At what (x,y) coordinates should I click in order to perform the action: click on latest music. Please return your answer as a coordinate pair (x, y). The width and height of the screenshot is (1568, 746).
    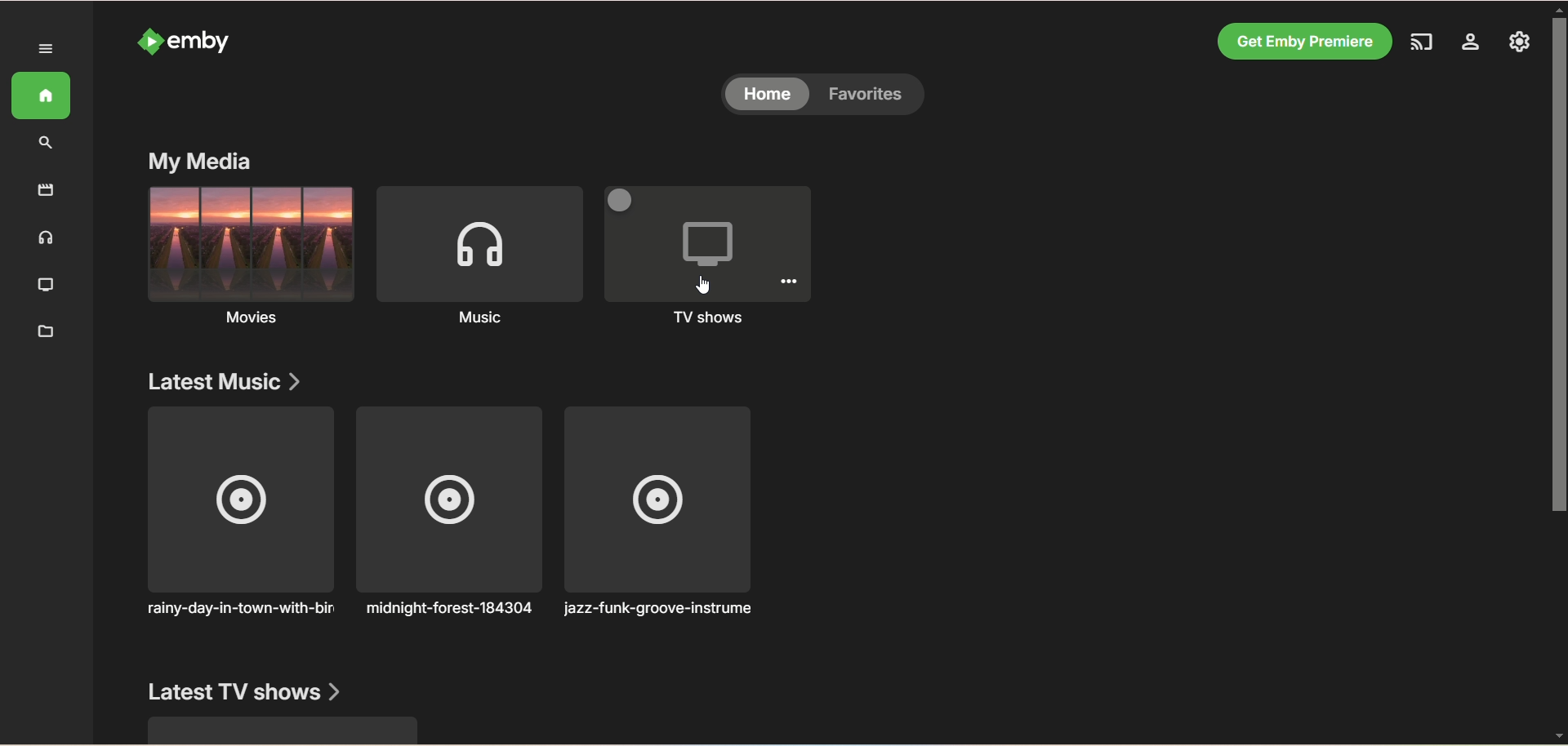
    Looking at the image, I should click on (228, 383).